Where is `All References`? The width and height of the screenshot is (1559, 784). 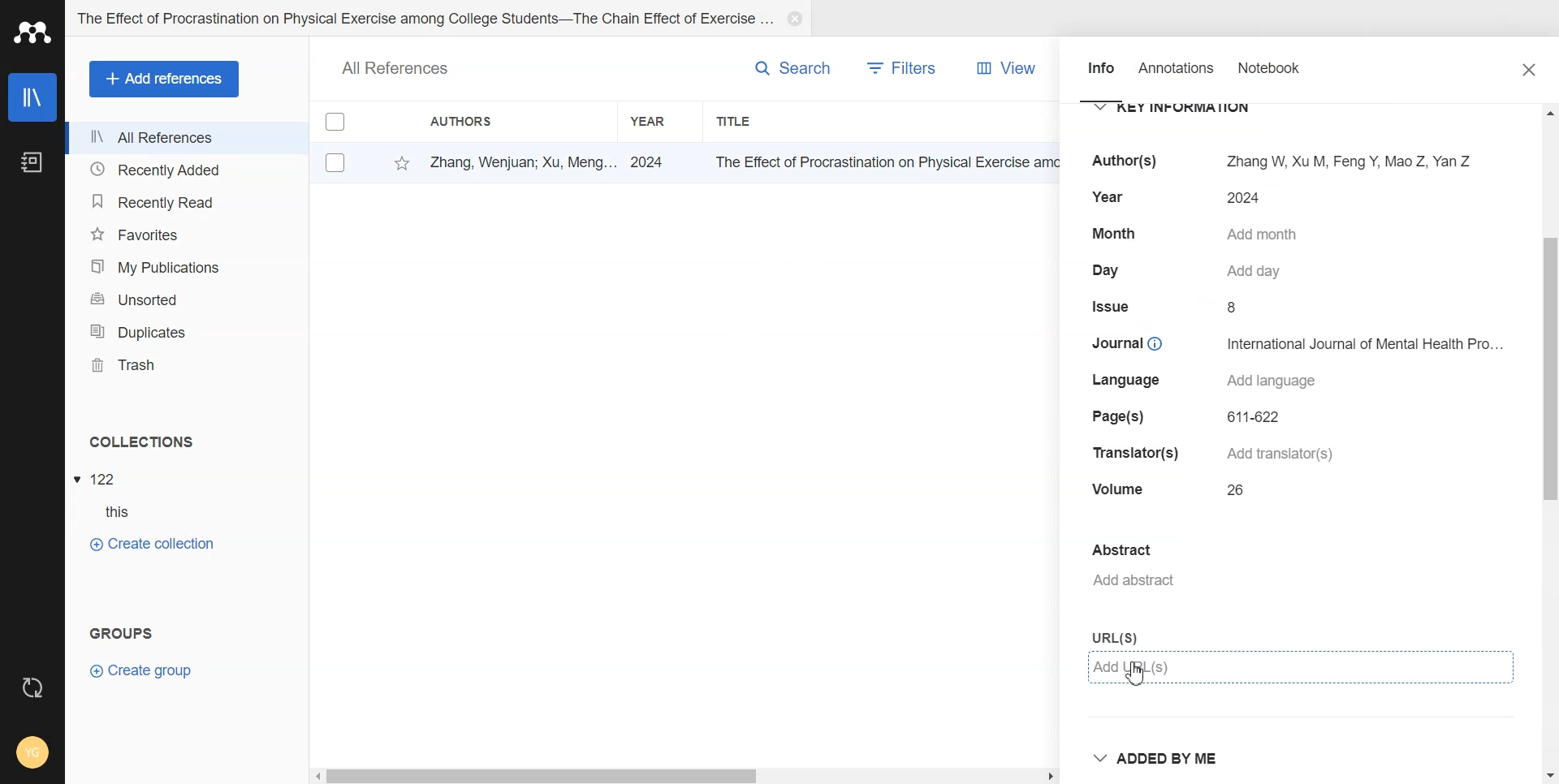
All References is located at coordinates (186, 138).